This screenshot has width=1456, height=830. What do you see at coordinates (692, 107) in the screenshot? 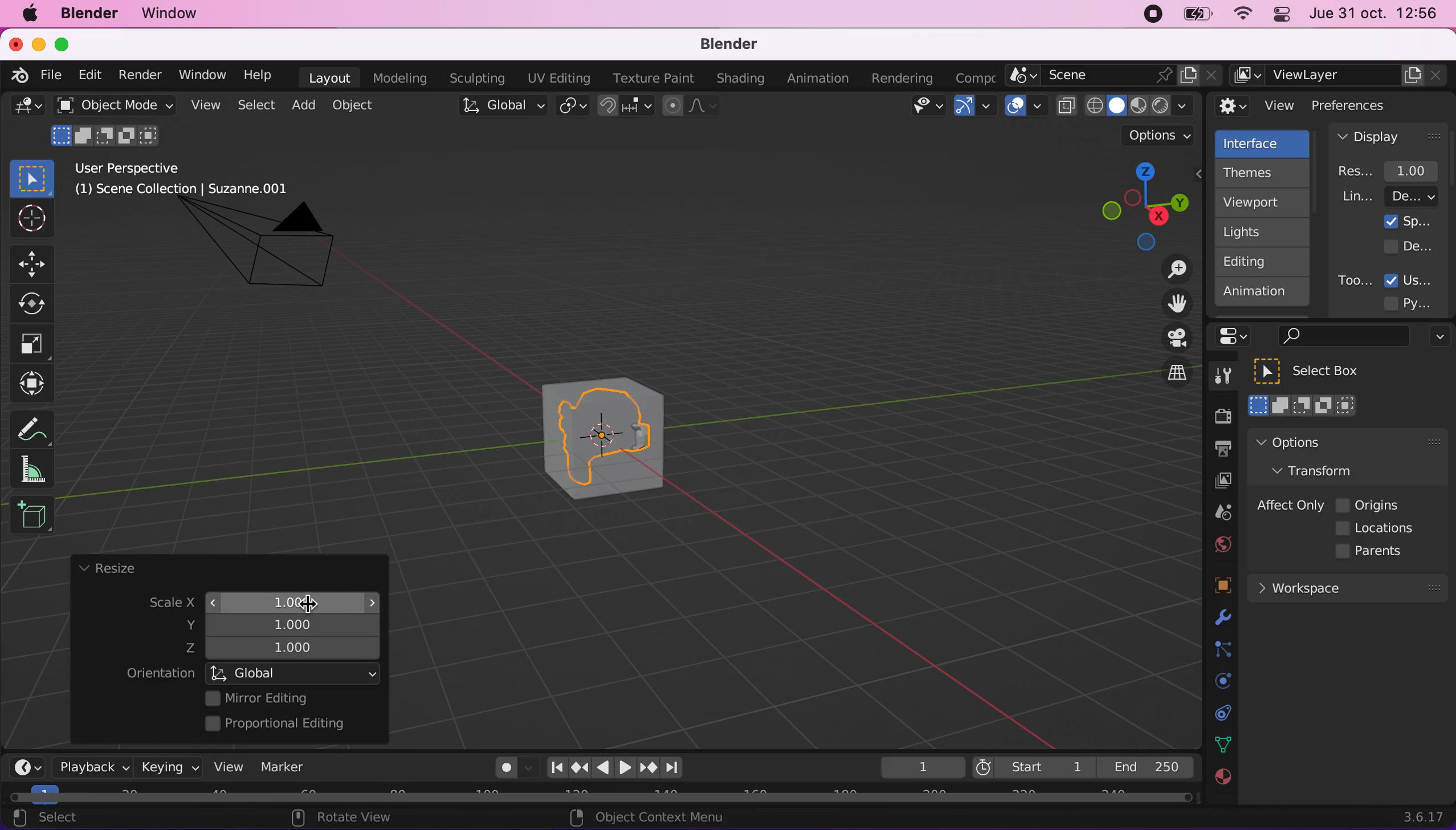
I see `proportional editing objects` at bounding box center [692, 107].